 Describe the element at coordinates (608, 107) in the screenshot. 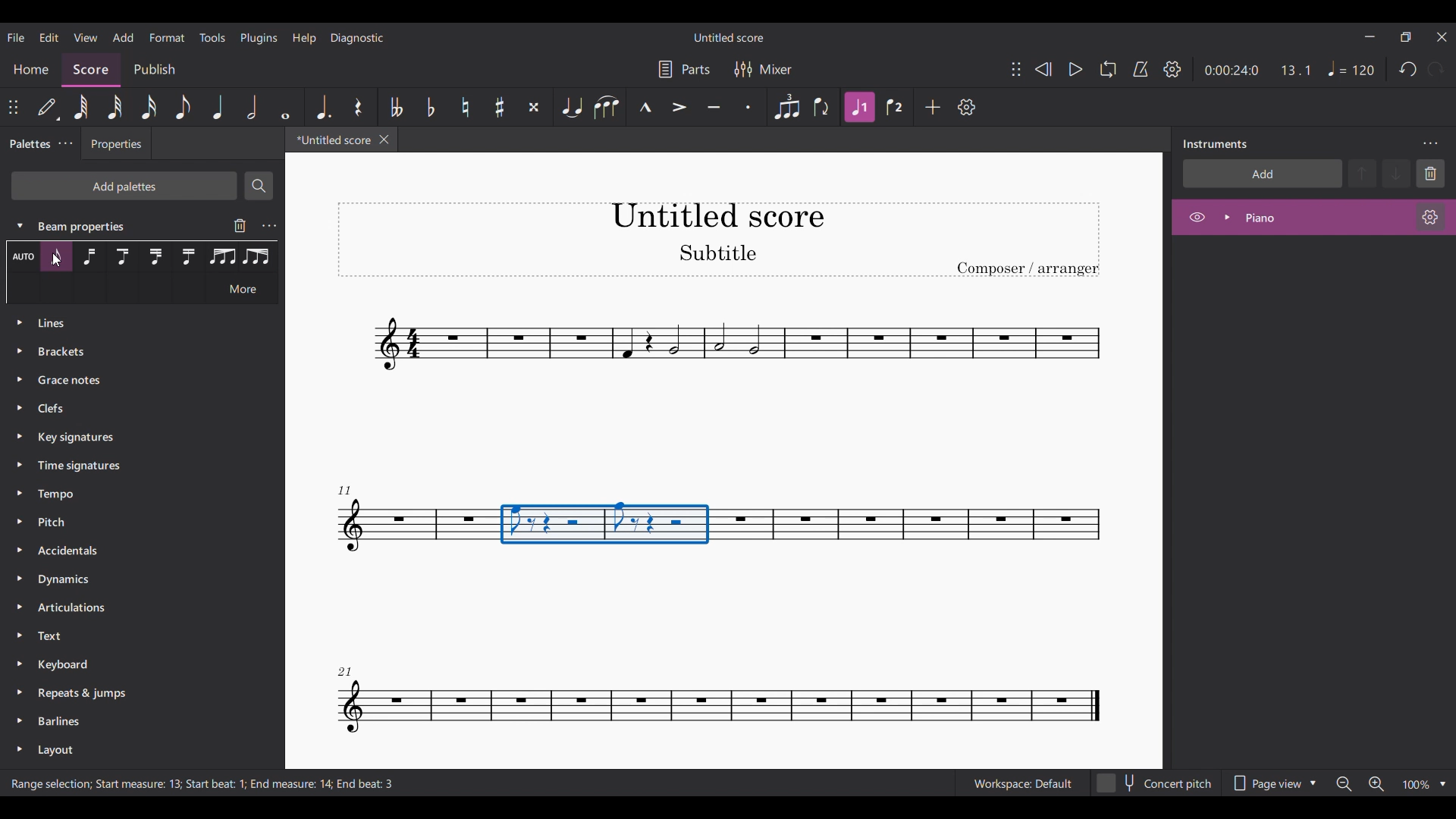

I see `Slur` at that location.